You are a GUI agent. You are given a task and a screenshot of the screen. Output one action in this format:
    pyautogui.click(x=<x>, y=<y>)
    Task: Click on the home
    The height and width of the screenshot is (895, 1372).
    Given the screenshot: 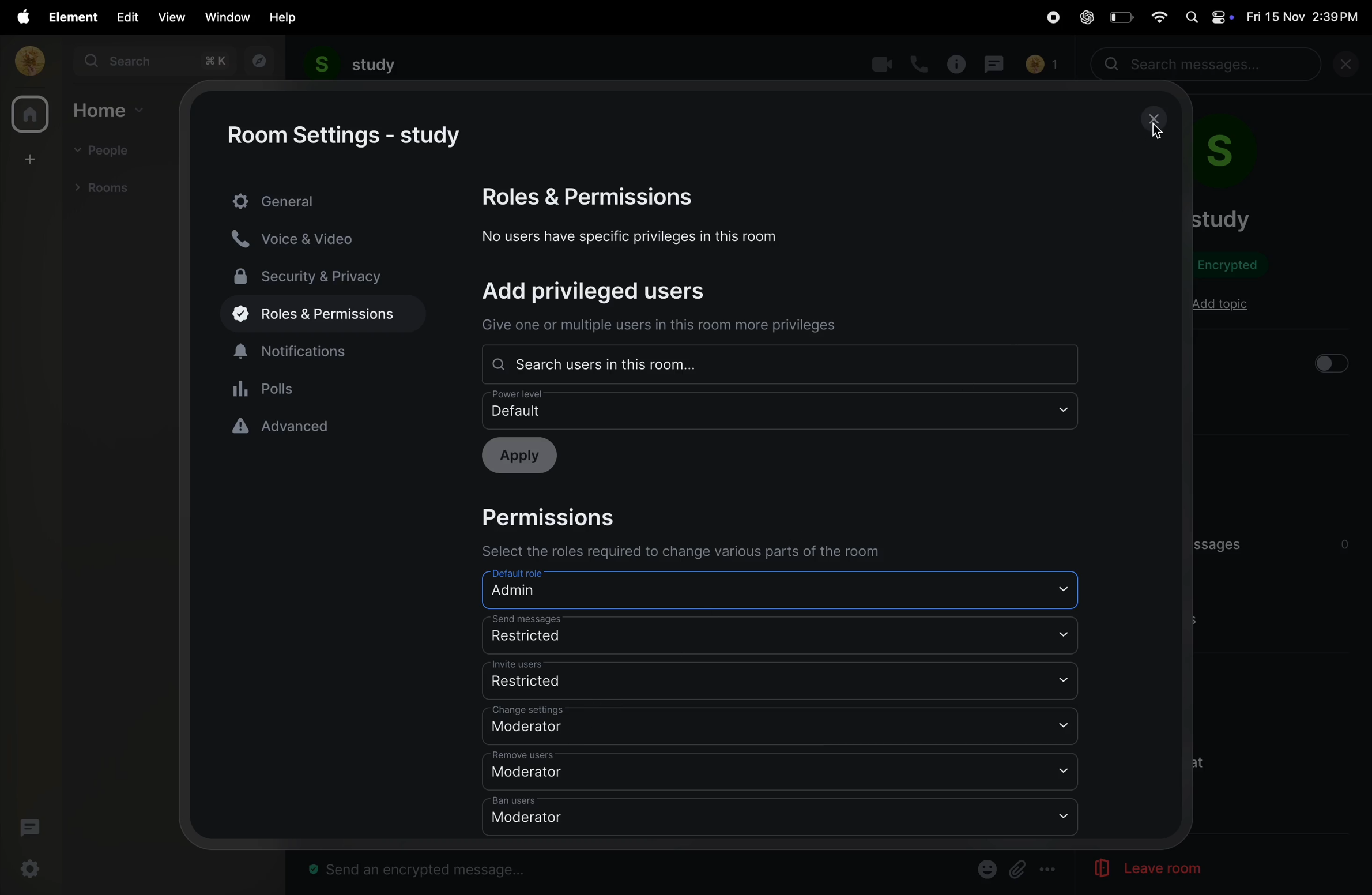 What is the action you would take?
    pyautogui.click(x=111, y=110)
    